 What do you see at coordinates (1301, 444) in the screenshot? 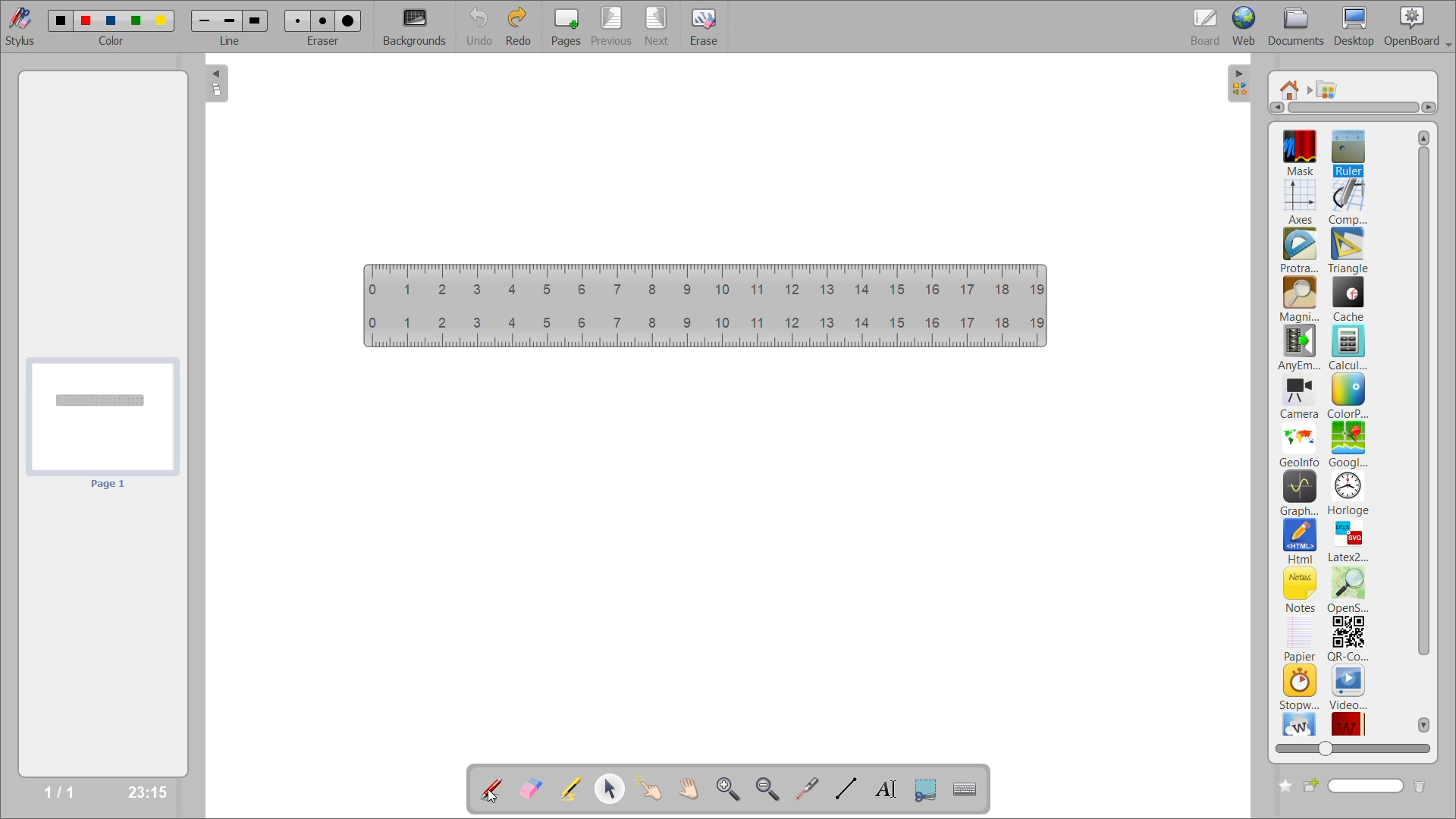
I see `geoinfo` at bounding box center [1301, 444].